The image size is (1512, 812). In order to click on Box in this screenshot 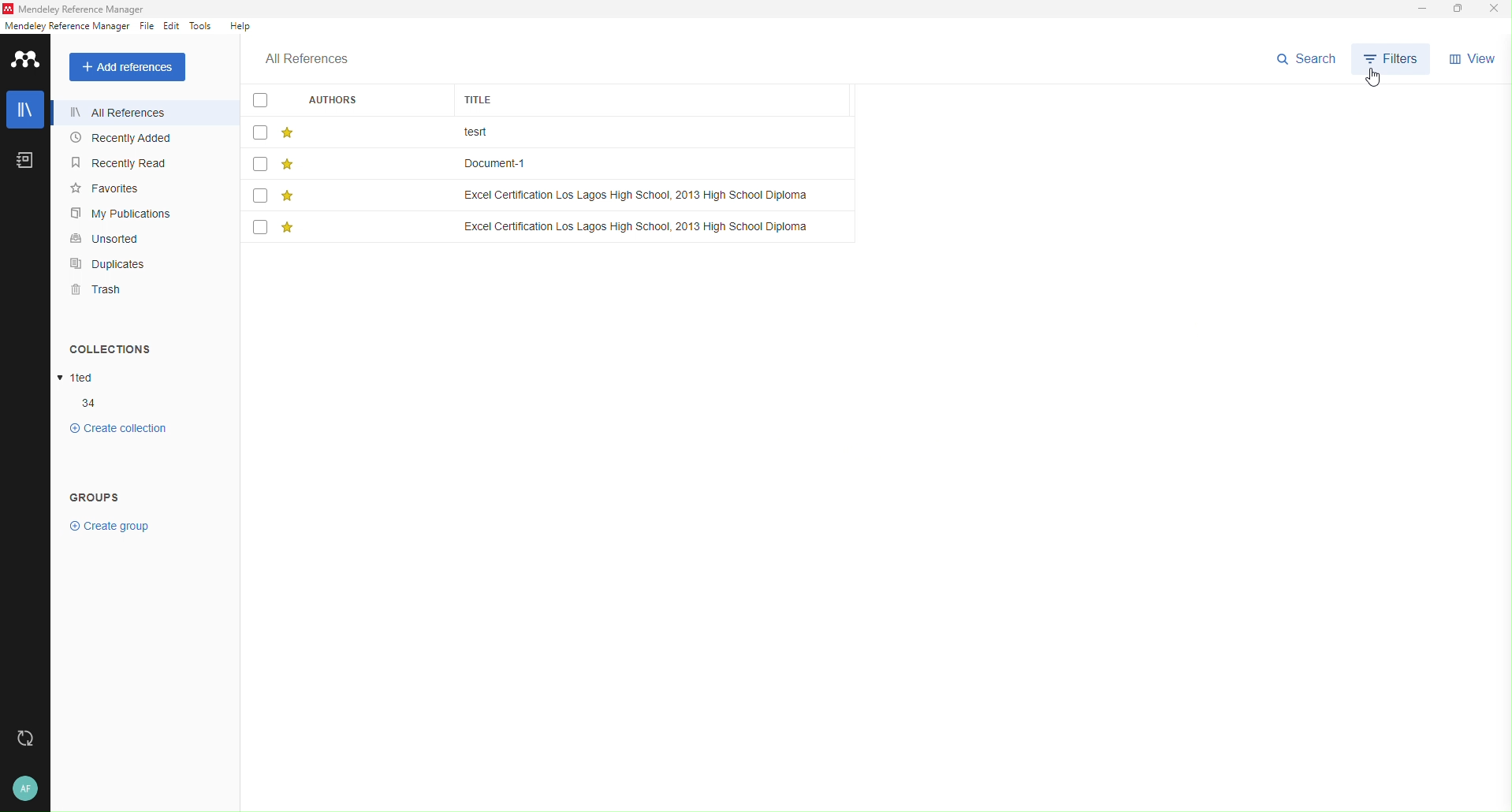, I will do `click(1463, 9)`.